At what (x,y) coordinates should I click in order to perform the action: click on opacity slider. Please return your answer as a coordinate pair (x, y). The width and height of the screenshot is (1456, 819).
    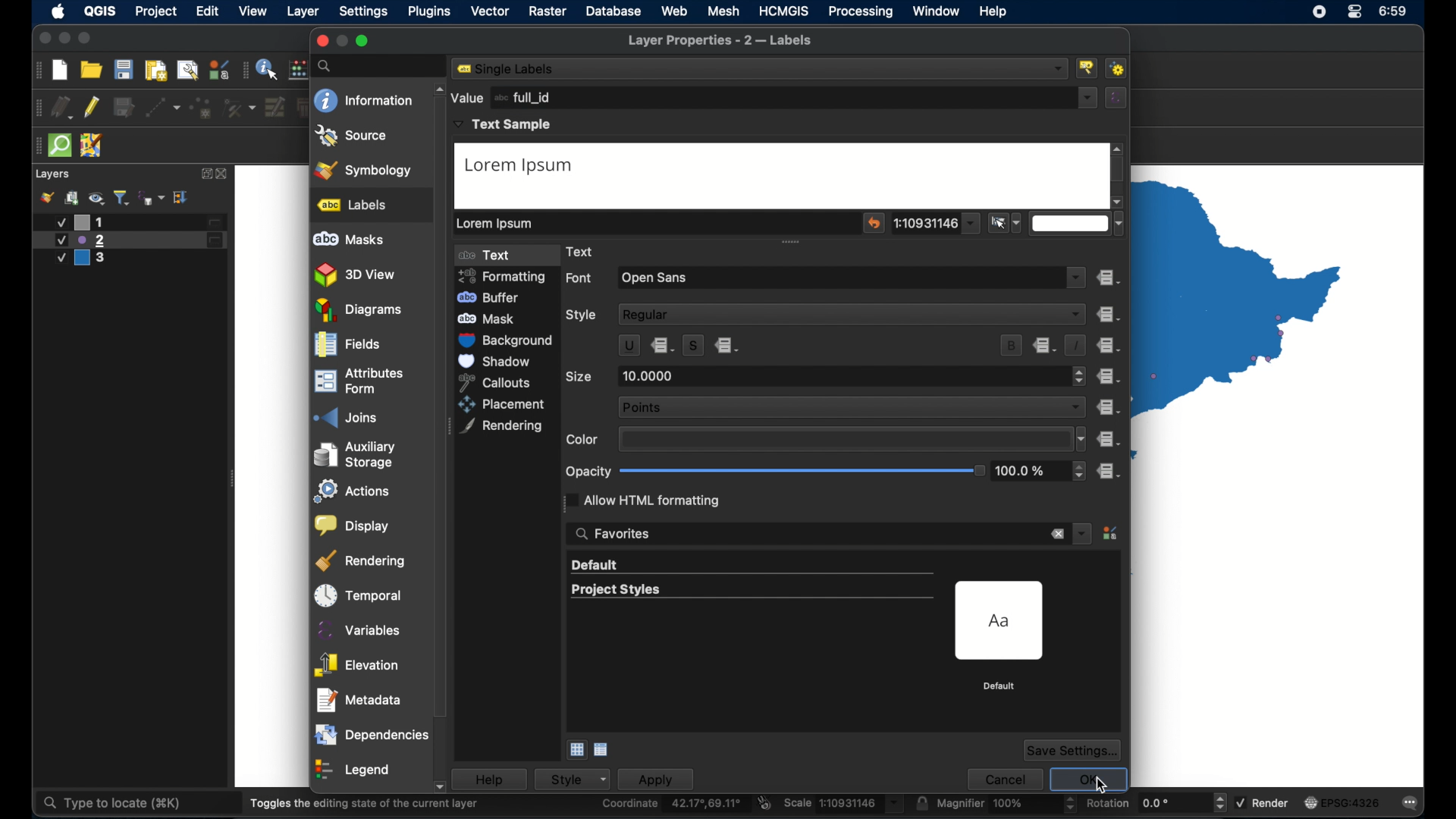
    Looking at the image, I should click on (802, 471).